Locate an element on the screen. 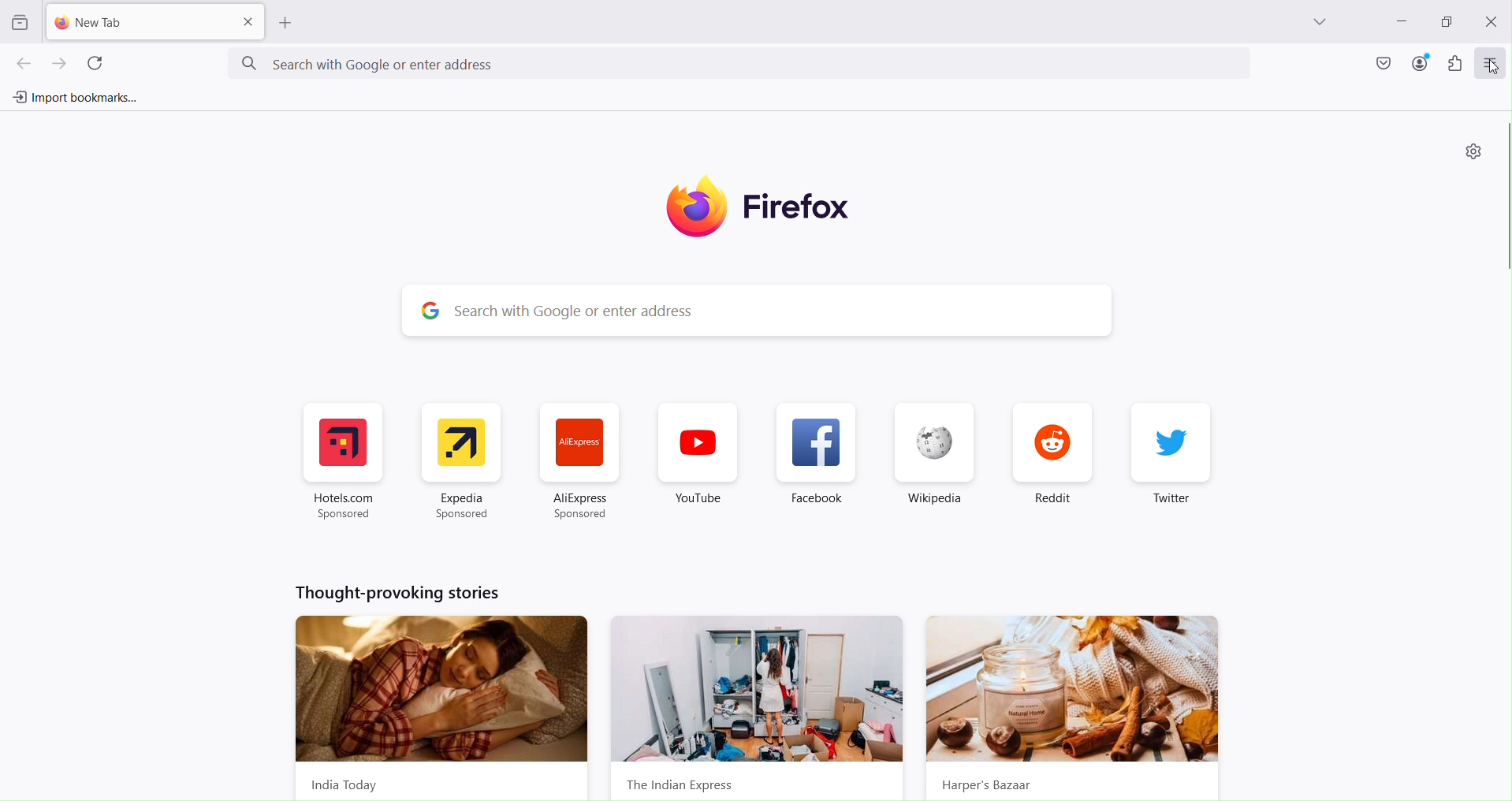 The height and width of the screenshot is (801, 1512). Firefox logo is located at coordinates (769, 207).